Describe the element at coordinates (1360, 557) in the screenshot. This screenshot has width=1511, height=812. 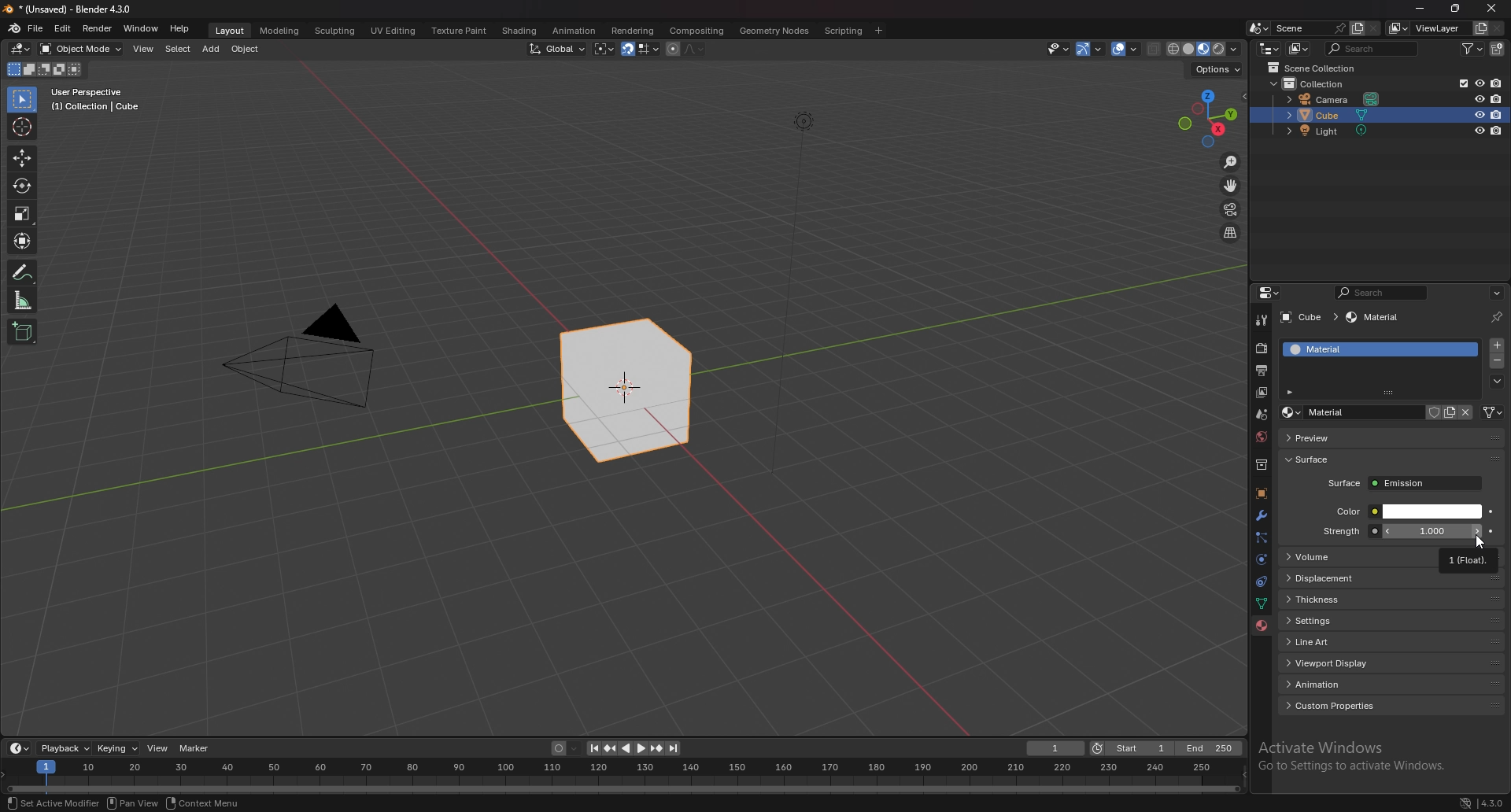
I see `volume` at that location.